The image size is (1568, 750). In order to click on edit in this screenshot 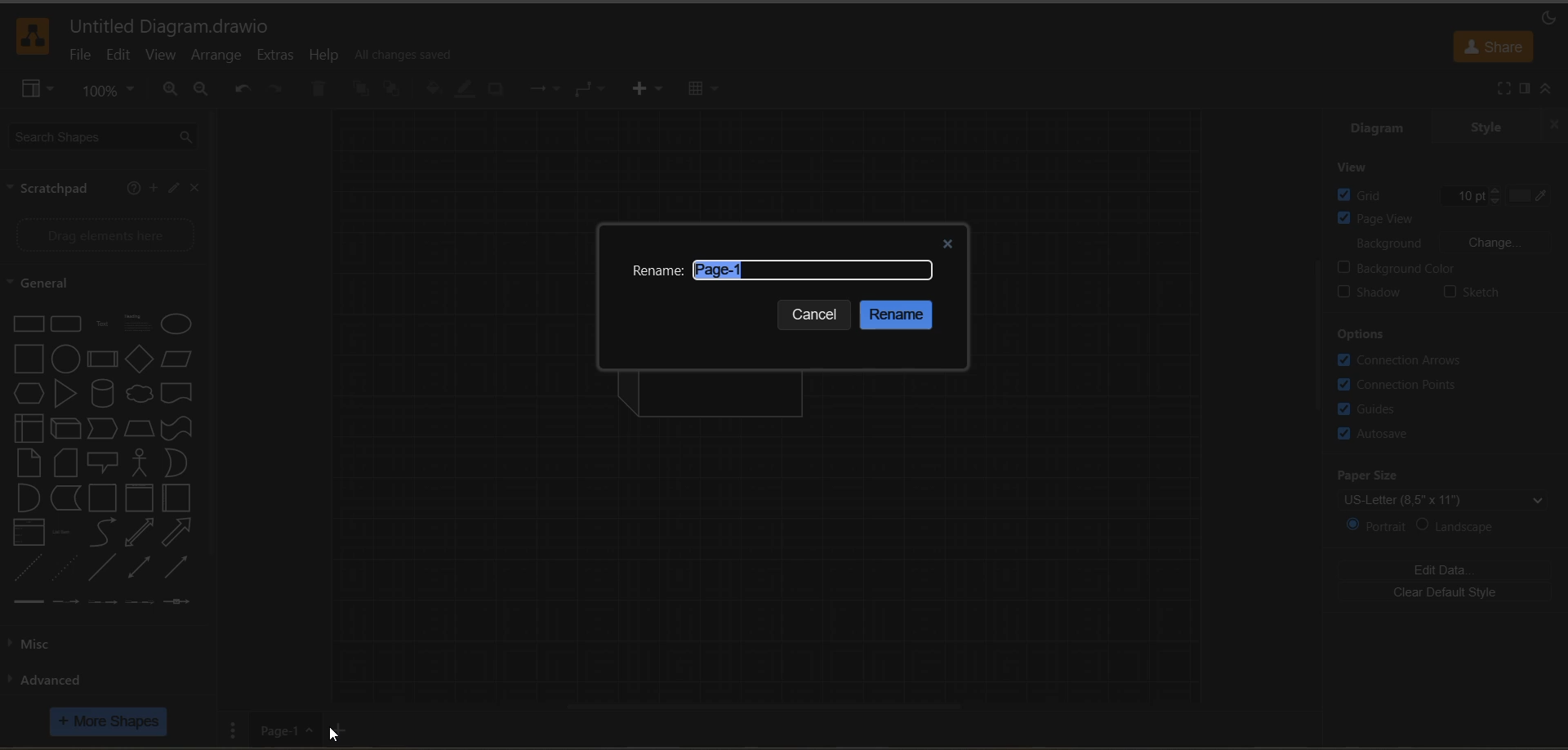, I will do `click(122, 57)`.